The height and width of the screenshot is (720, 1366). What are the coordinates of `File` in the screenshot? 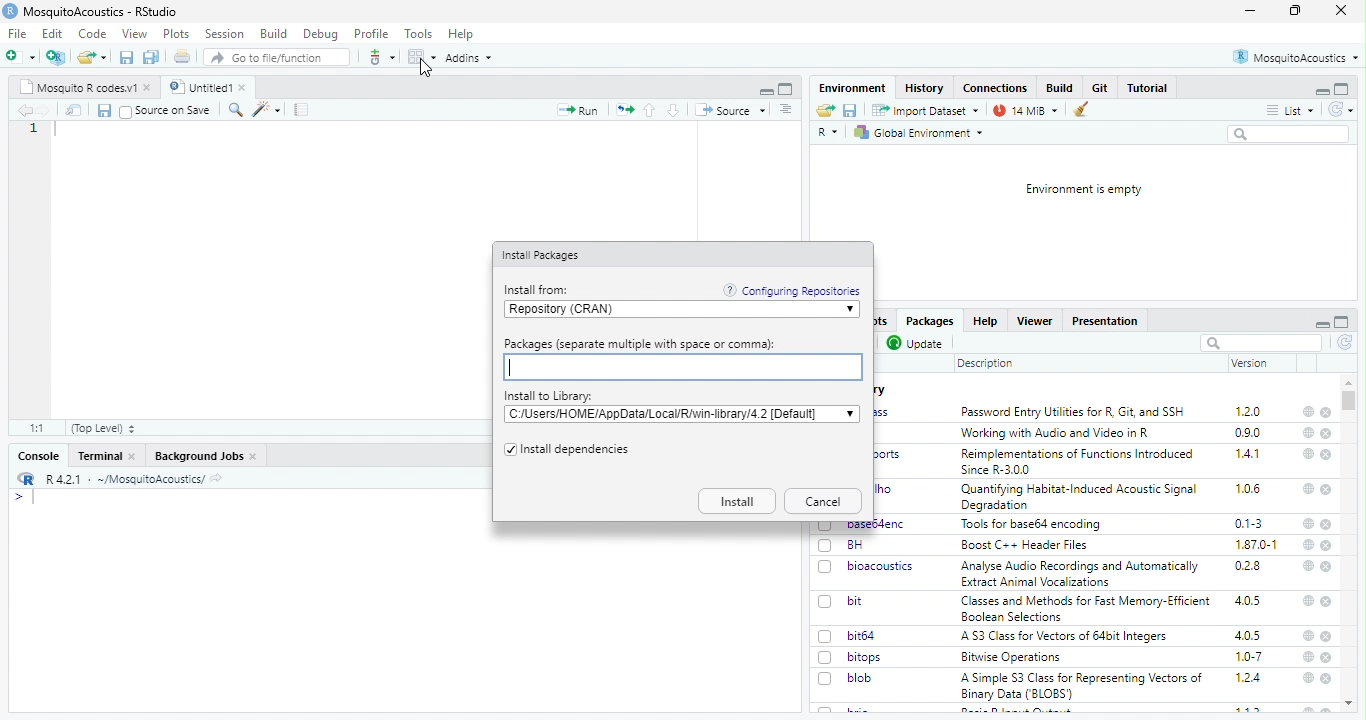 It's located at (19, 34).